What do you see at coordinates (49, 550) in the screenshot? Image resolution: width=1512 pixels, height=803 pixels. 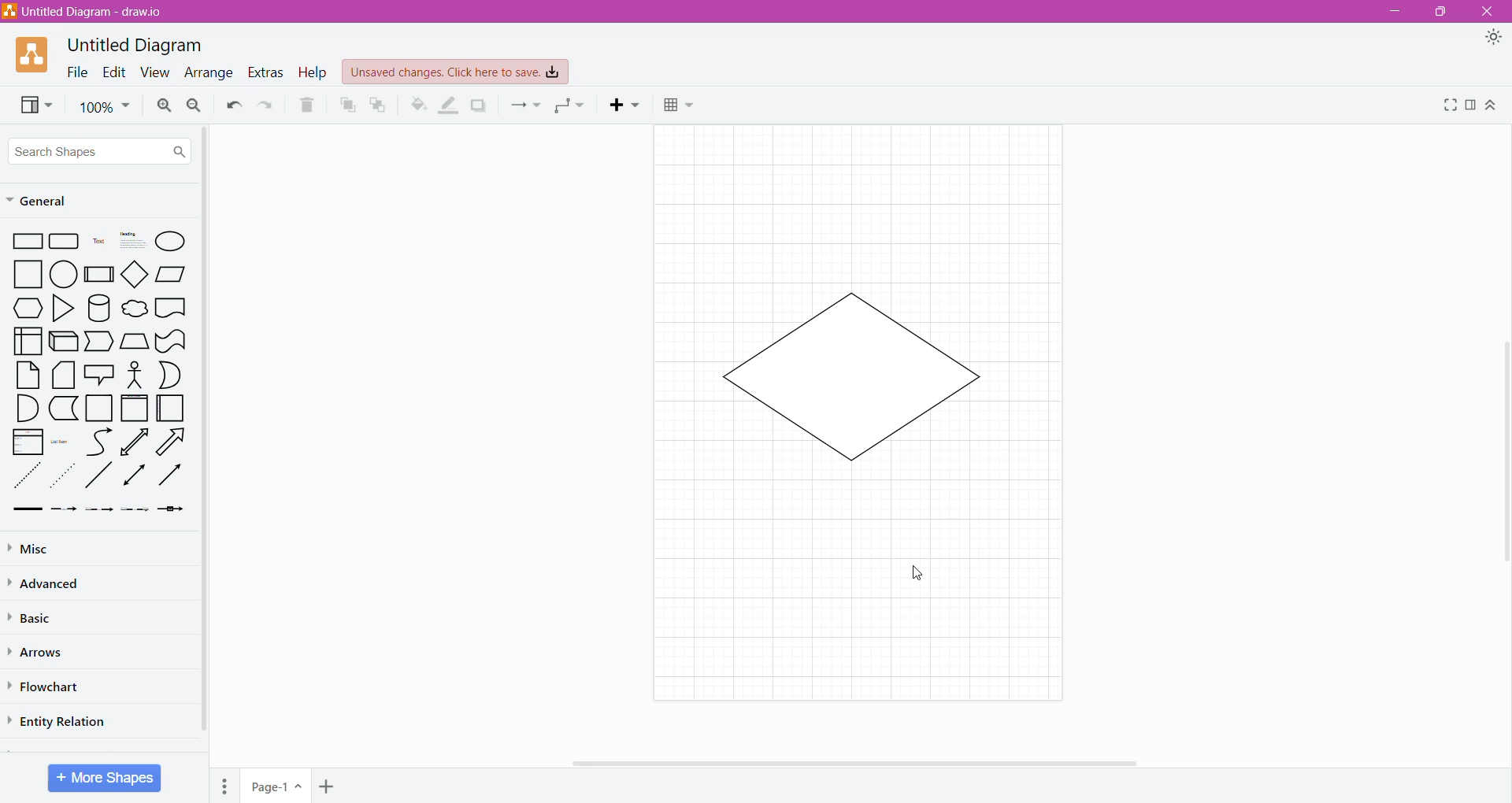 I see `Misc` at bounding box center [49, 550].